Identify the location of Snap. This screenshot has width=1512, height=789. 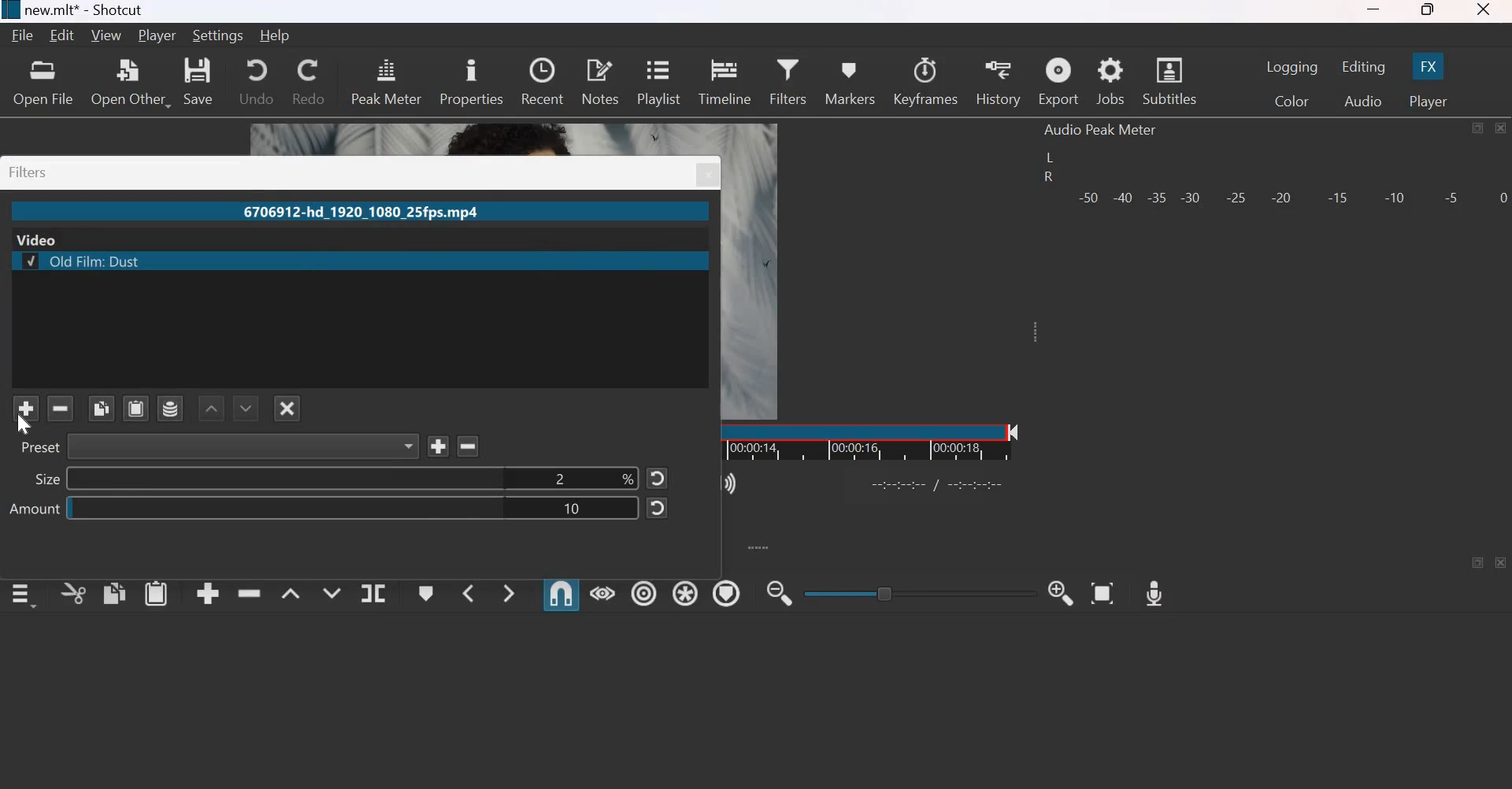
(561, 594).